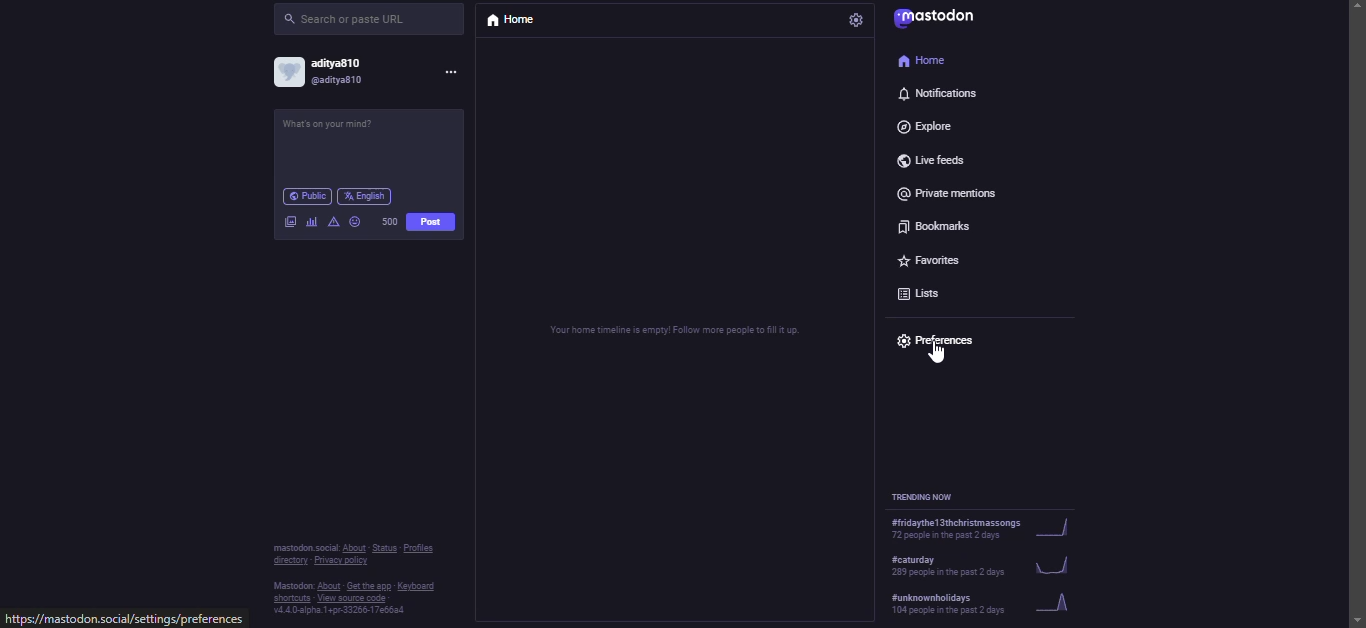 The image size is (1366, 628). What do you see at coordinates (927, 125) in the screenshot?
I see `explore` at bounding box center [927, 125].